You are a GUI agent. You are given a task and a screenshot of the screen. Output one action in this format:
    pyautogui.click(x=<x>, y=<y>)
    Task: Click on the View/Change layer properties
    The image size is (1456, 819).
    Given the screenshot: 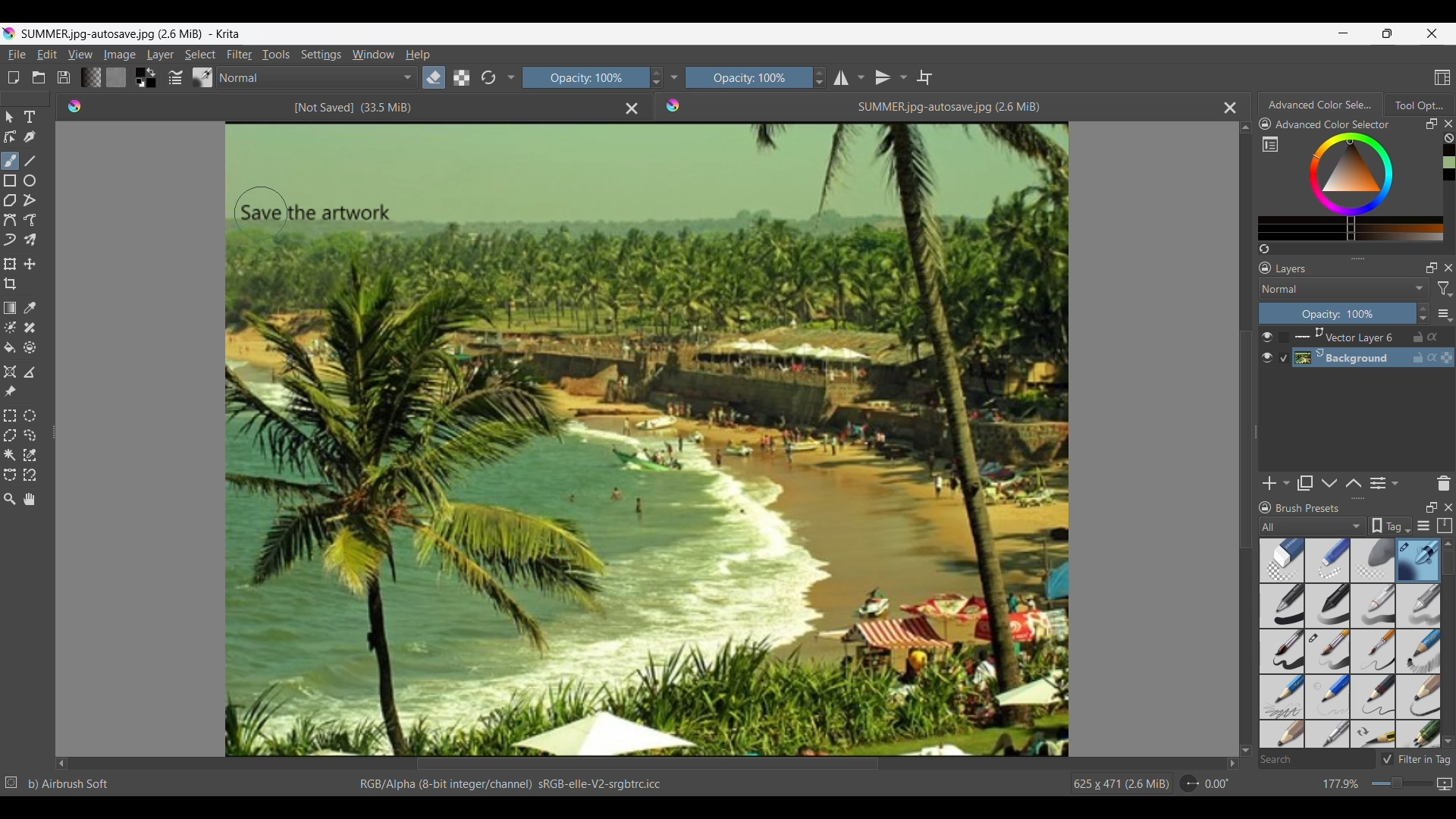 What is the action you would take?
    pyautogui.click(x=1385, y=483)
    